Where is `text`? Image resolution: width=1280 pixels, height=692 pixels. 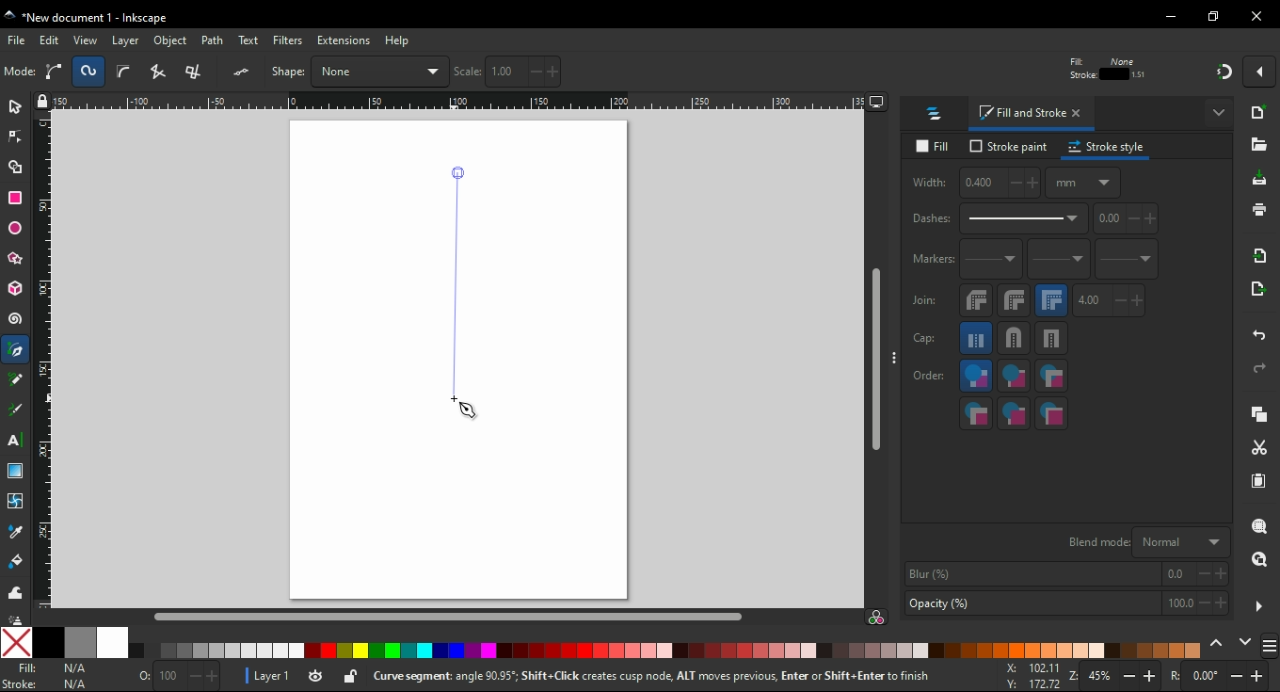 text is located at coordinates (250, 41).